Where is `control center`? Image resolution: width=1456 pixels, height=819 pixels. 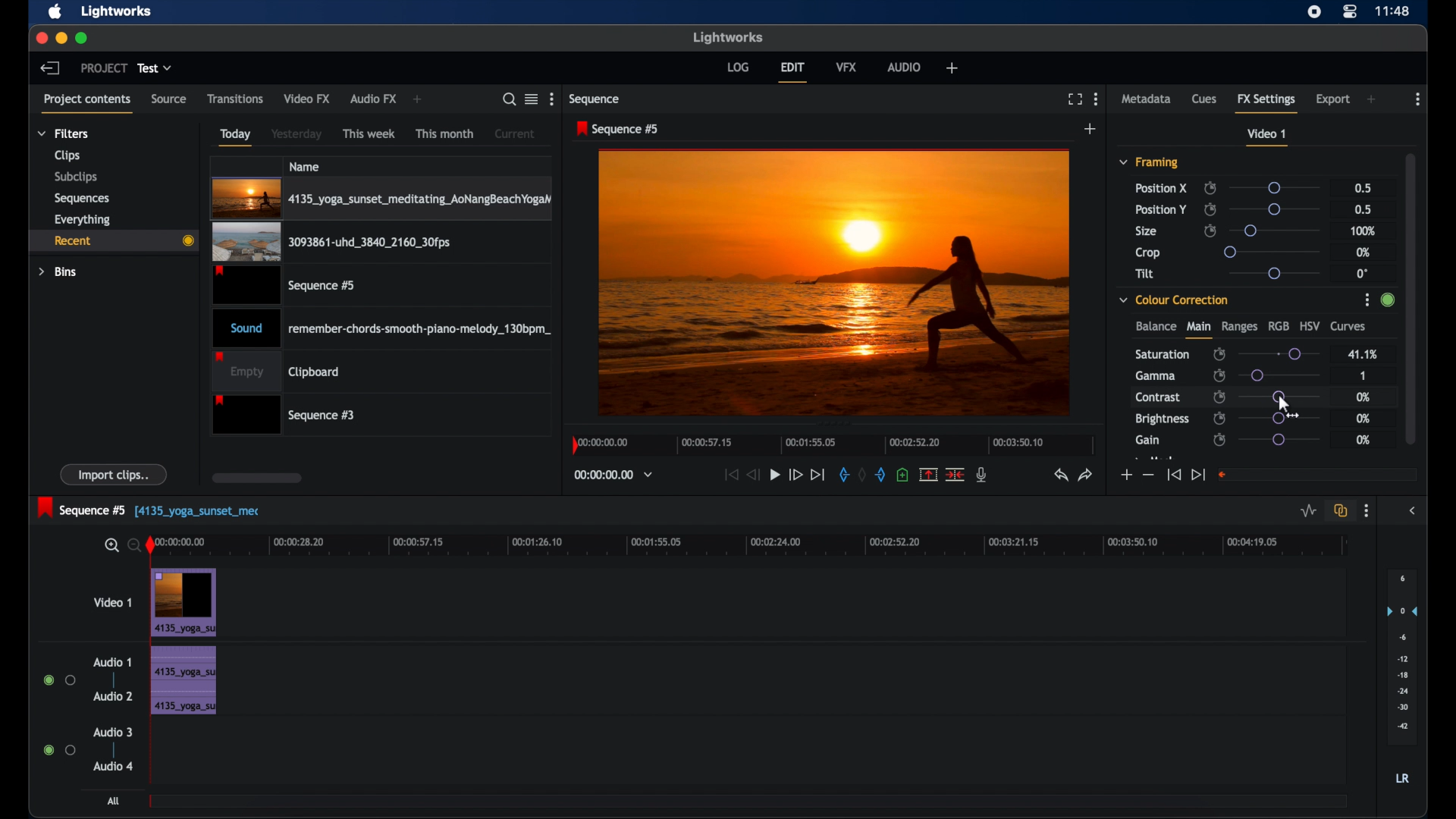 control center is located at coordinates (1351, 11).